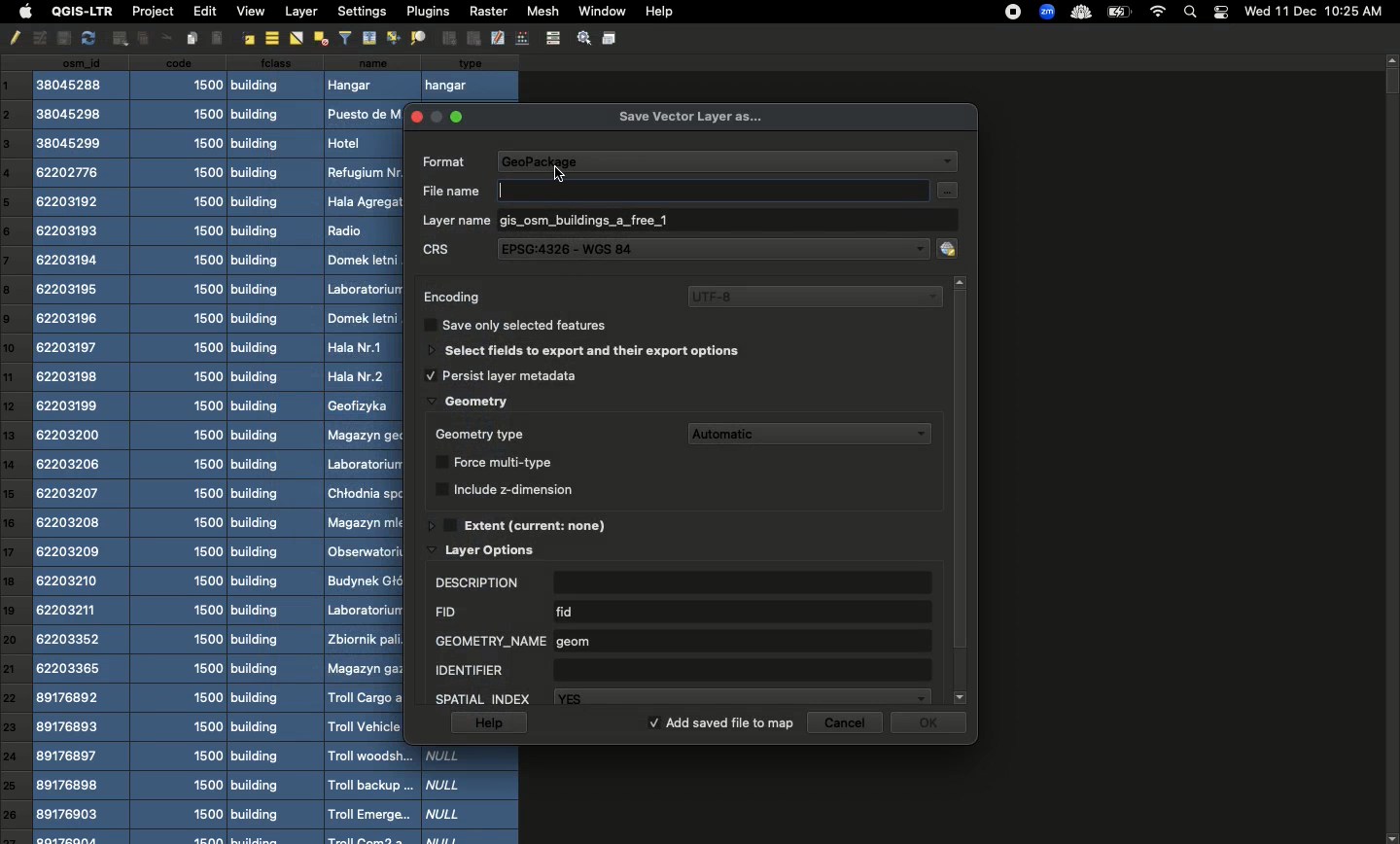 Image resolution: width=1400 pixels, height=844 pixels. Describe the element at coordinates (1118, 13) in the screenshot. I see `Charge` at that location.